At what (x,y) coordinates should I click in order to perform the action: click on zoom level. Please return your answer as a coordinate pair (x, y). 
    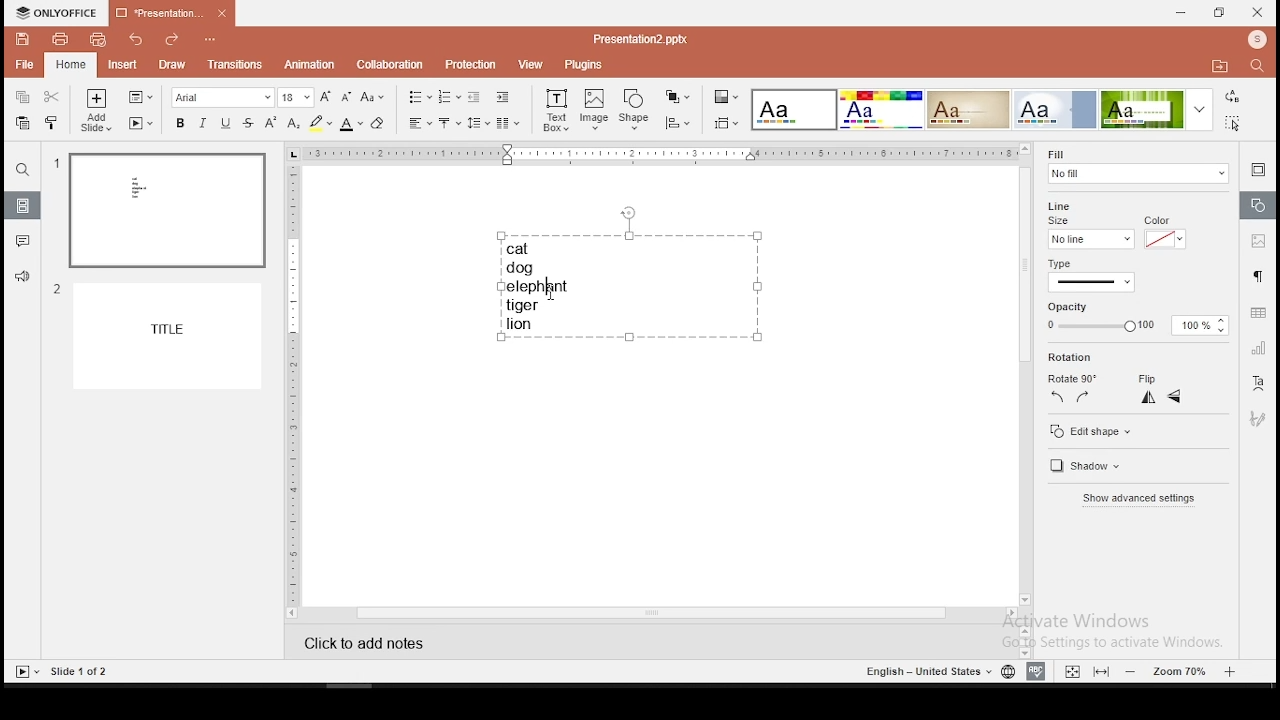
    Looking at the image, I should click on (1180, 671).